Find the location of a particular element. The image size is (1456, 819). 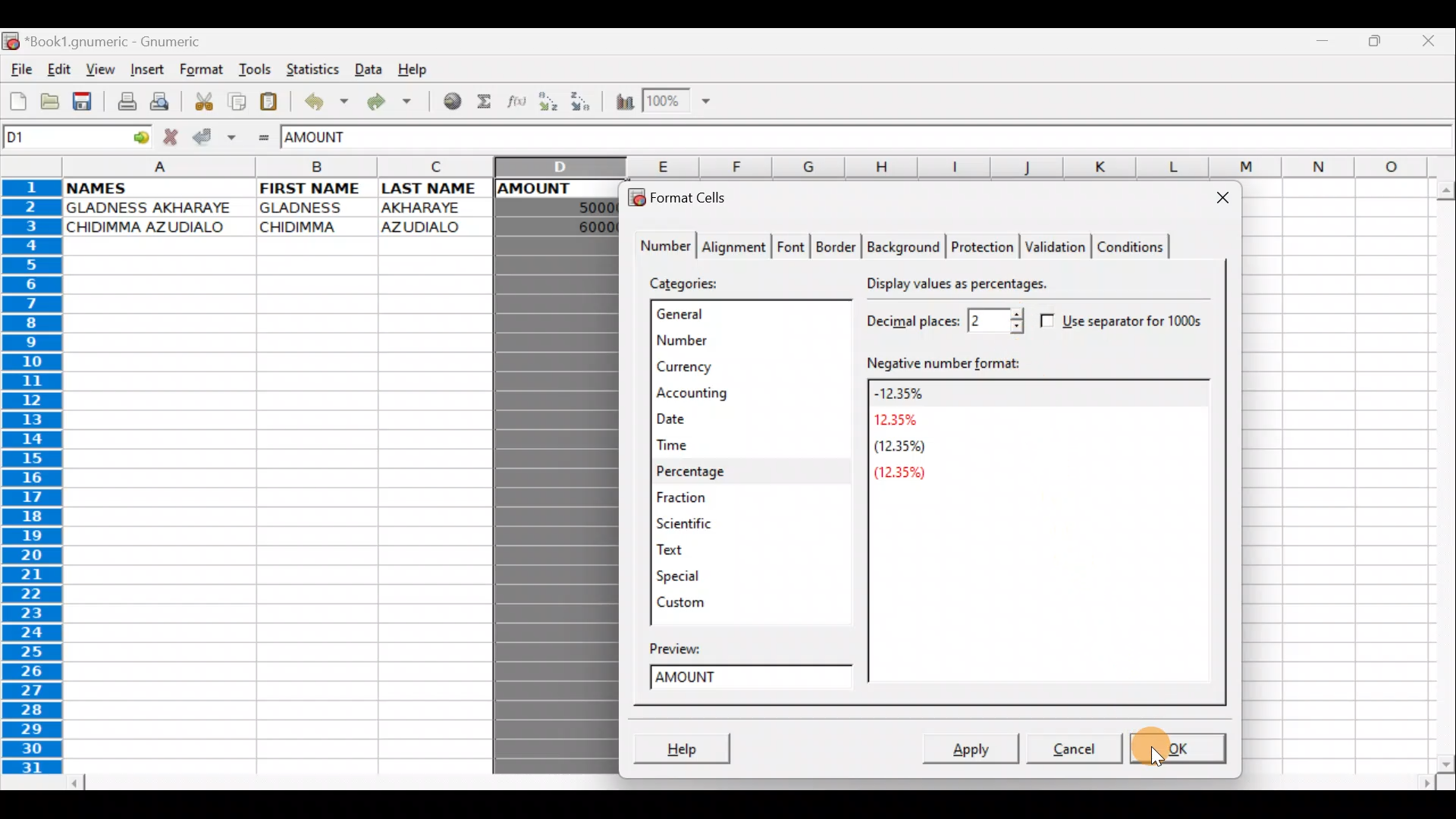

Alignment is located at coordinates (736, 245).